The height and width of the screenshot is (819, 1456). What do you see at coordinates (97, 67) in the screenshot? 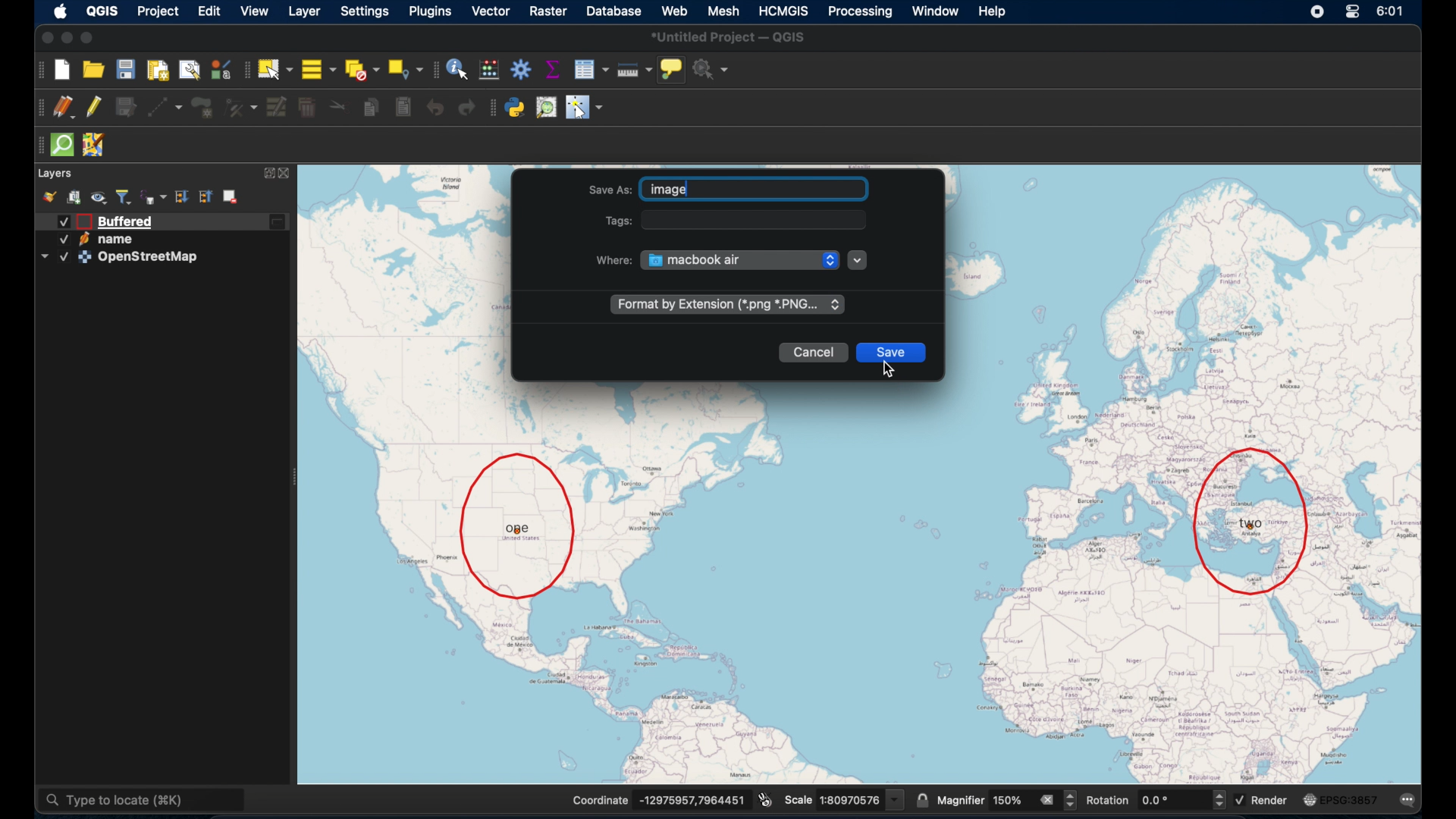
I see `open project` at bounding box center [97, 67].